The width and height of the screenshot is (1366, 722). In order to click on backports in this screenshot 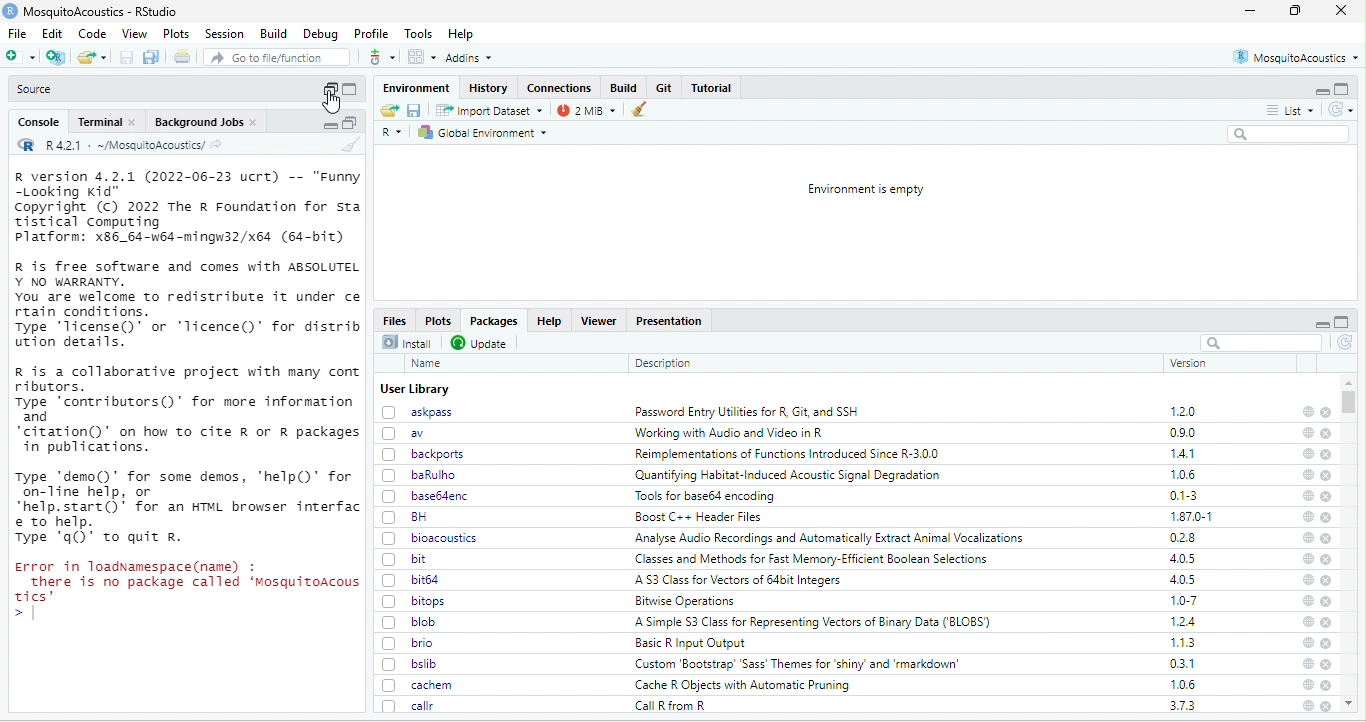, I will do `click(423, 454)`.